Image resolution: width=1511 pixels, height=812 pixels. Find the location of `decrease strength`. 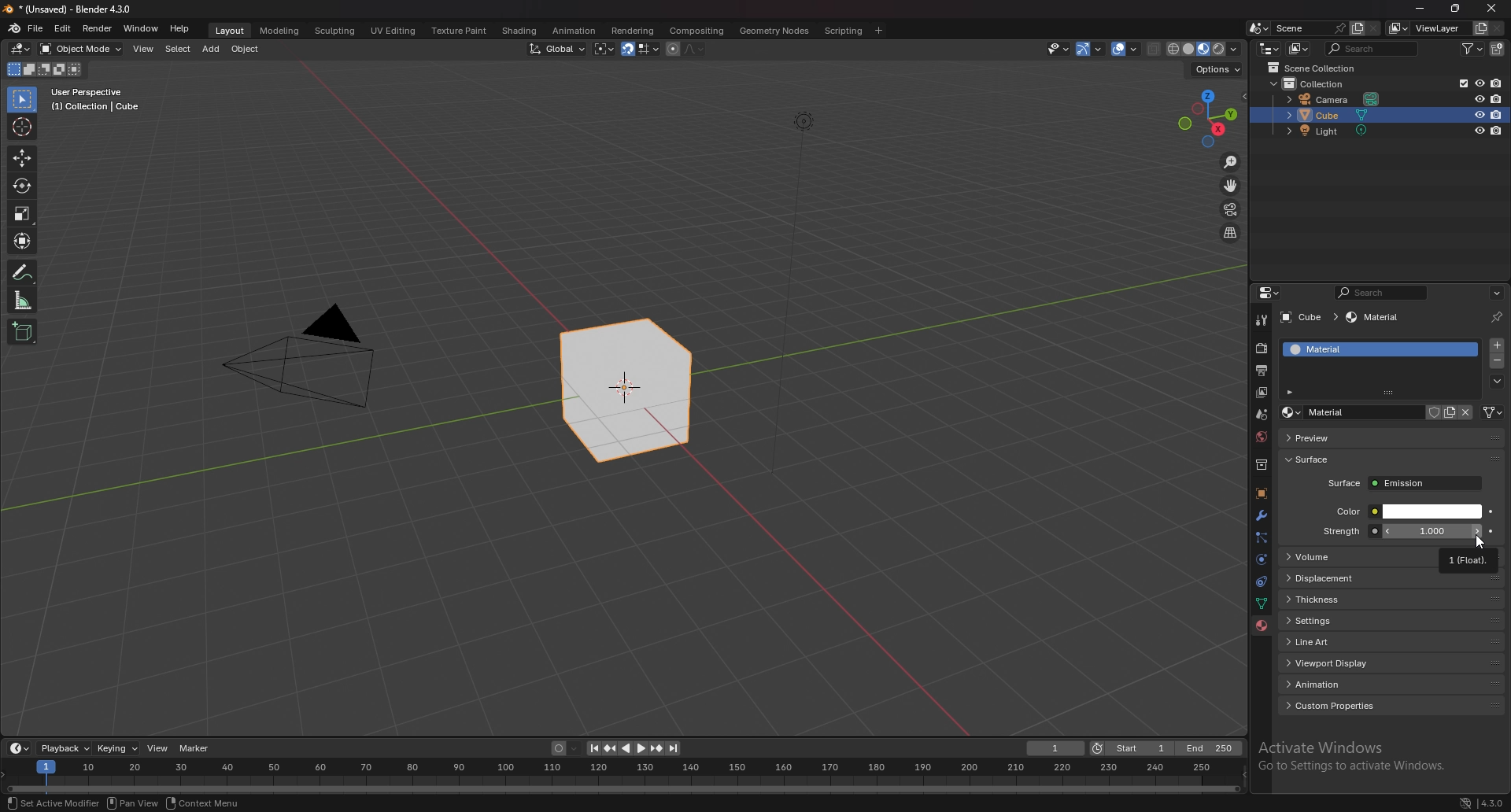

decrease strength is located at coordinates (1476, 531).